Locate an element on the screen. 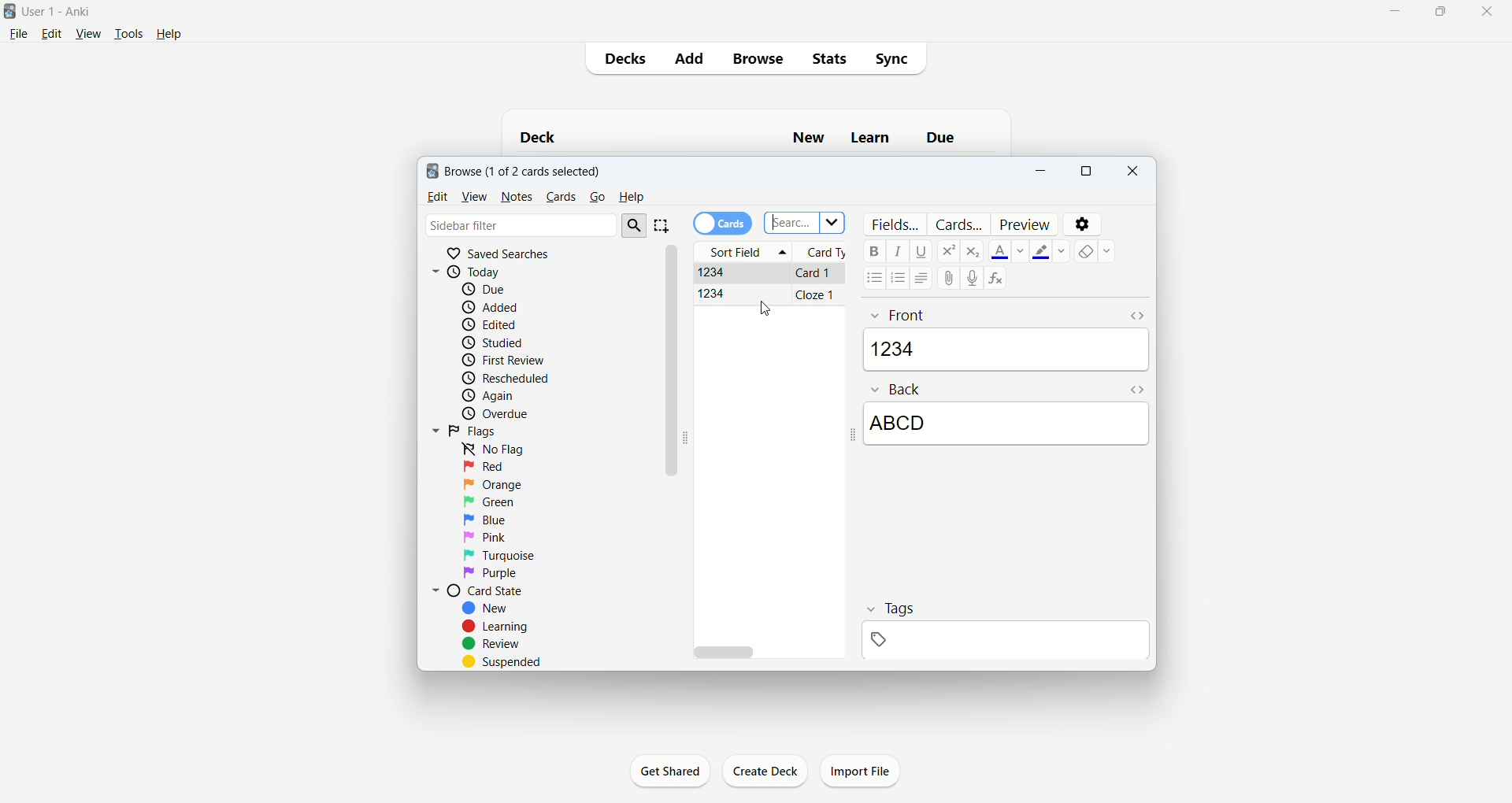 This screenshot has height=803, width=1512. italics is located at coordinates (899, 251).